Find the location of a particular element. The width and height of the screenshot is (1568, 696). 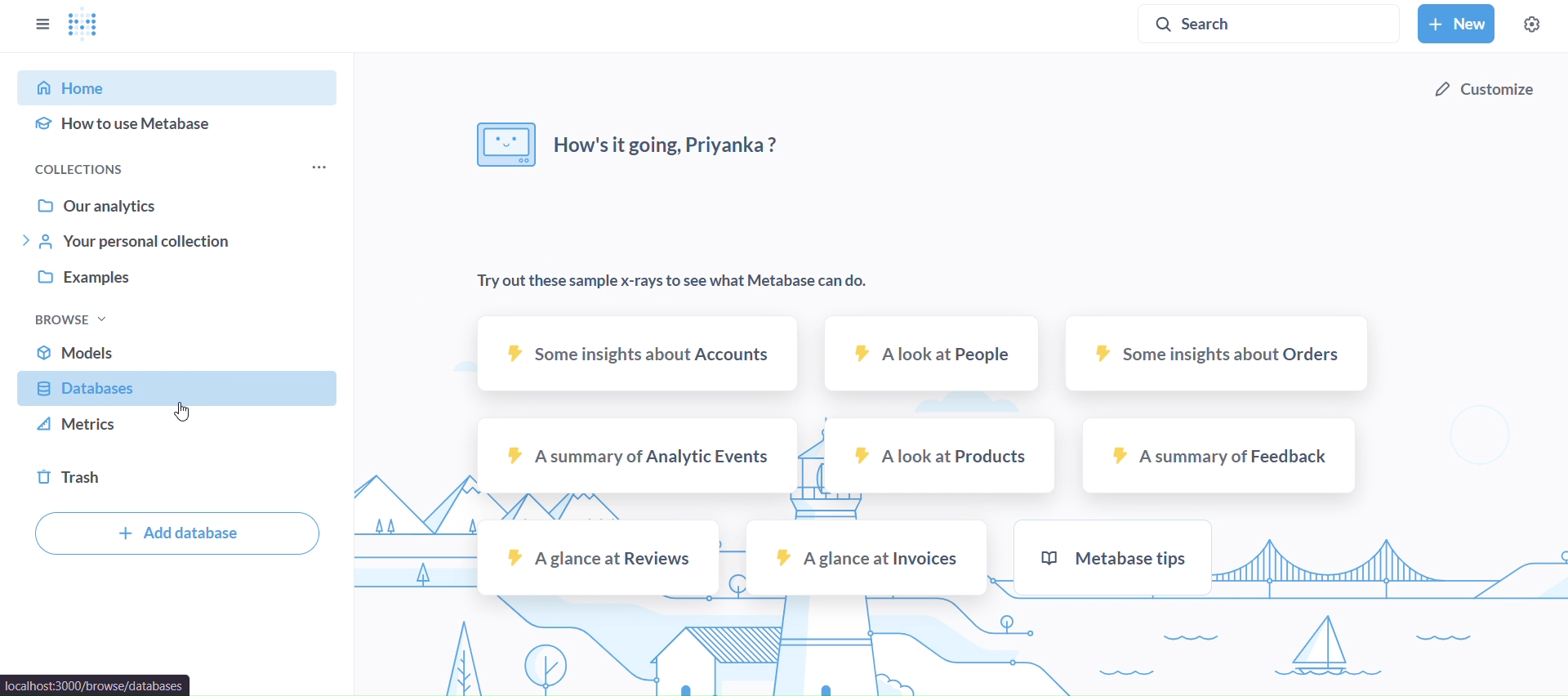

browse is located at coordinates (69, 319).